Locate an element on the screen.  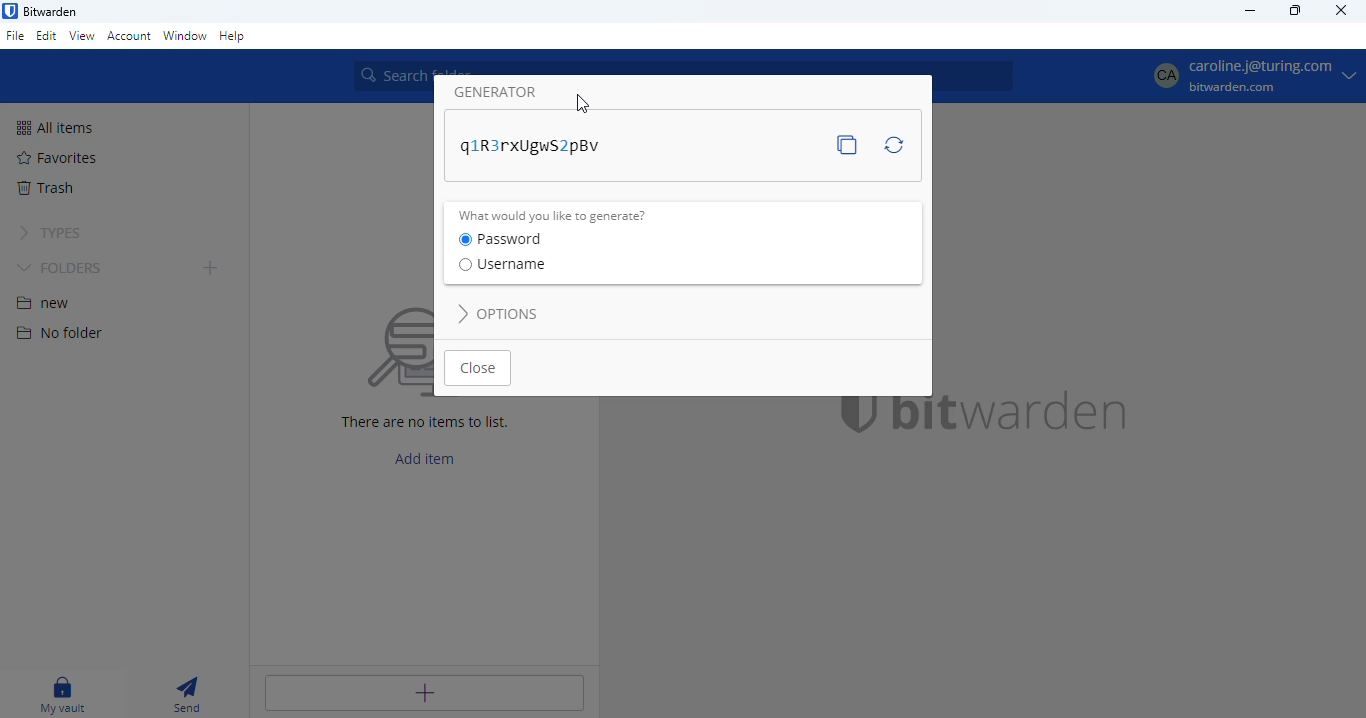
minimize is located at coordinates (1252, 10).